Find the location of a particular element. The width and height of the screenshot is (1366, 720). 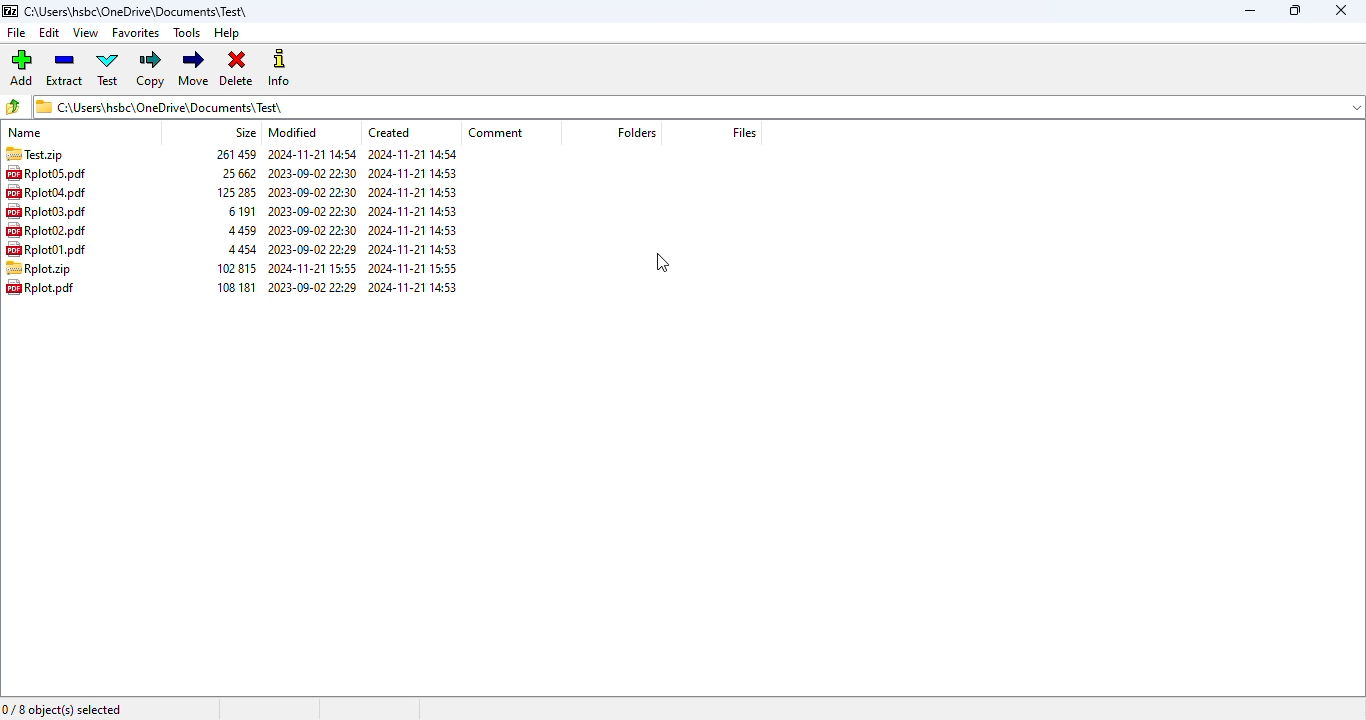

folder name is located at coordinates (139, 11).